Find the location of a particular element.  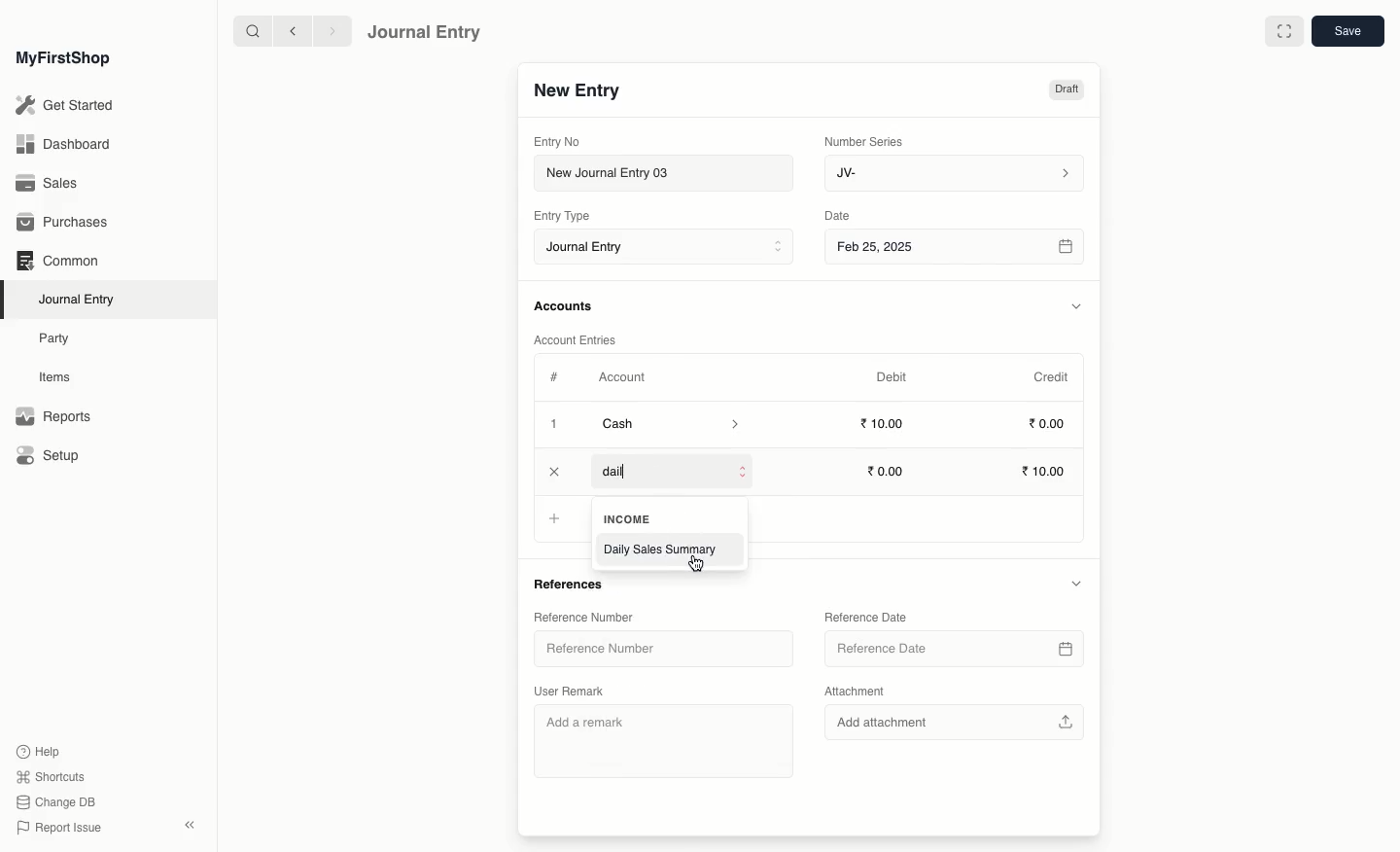

Common is located at coordinates (56, 261).